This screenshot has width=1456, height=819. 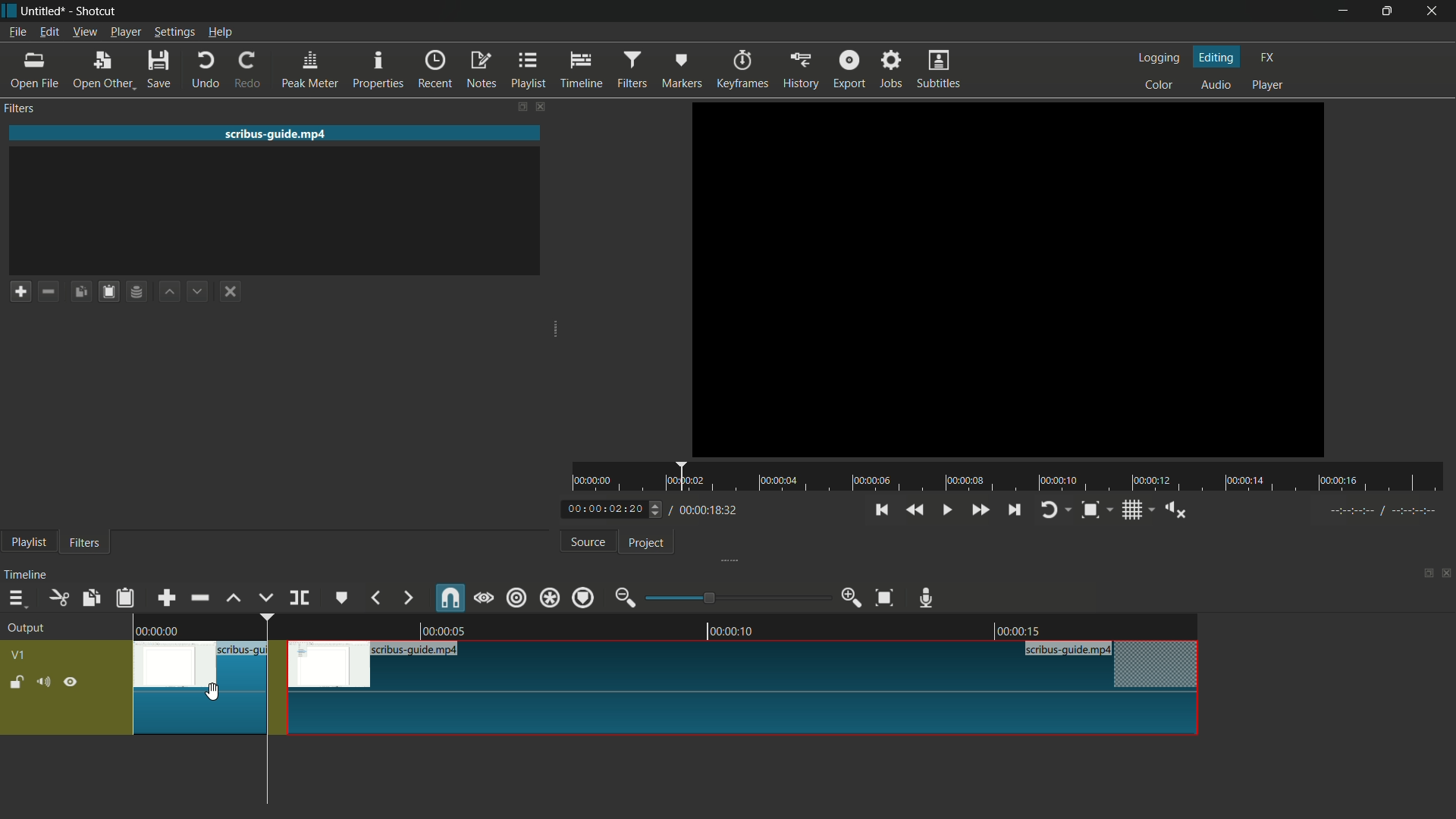 What do you see at coordinates (378, 69) in the screenshot?
I see `properties` at bounding box center [378, 69].